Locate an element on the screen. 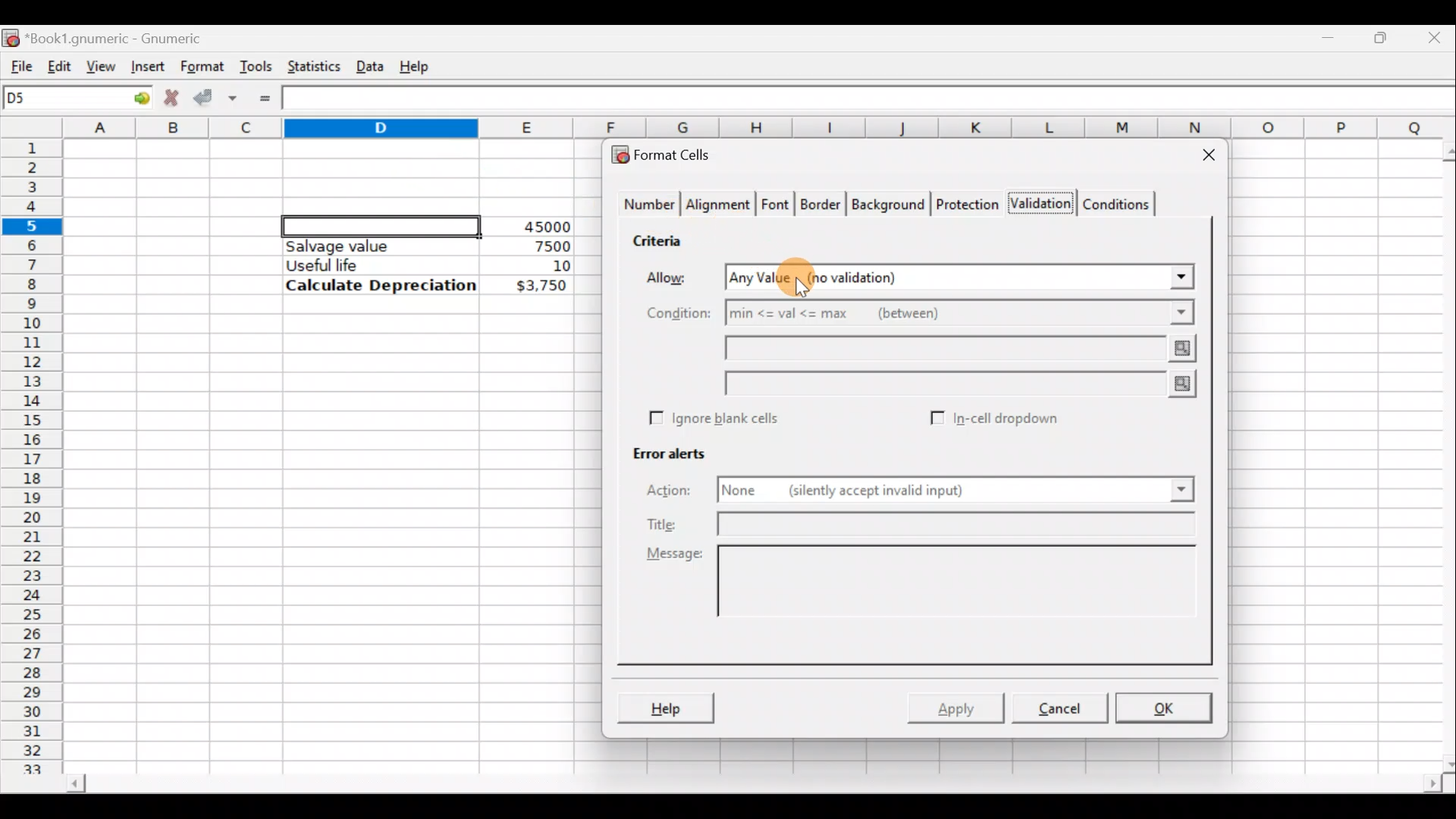 The height and width of the screenshot is (819, 1456). Useful life is located at coordinates (372, 265).